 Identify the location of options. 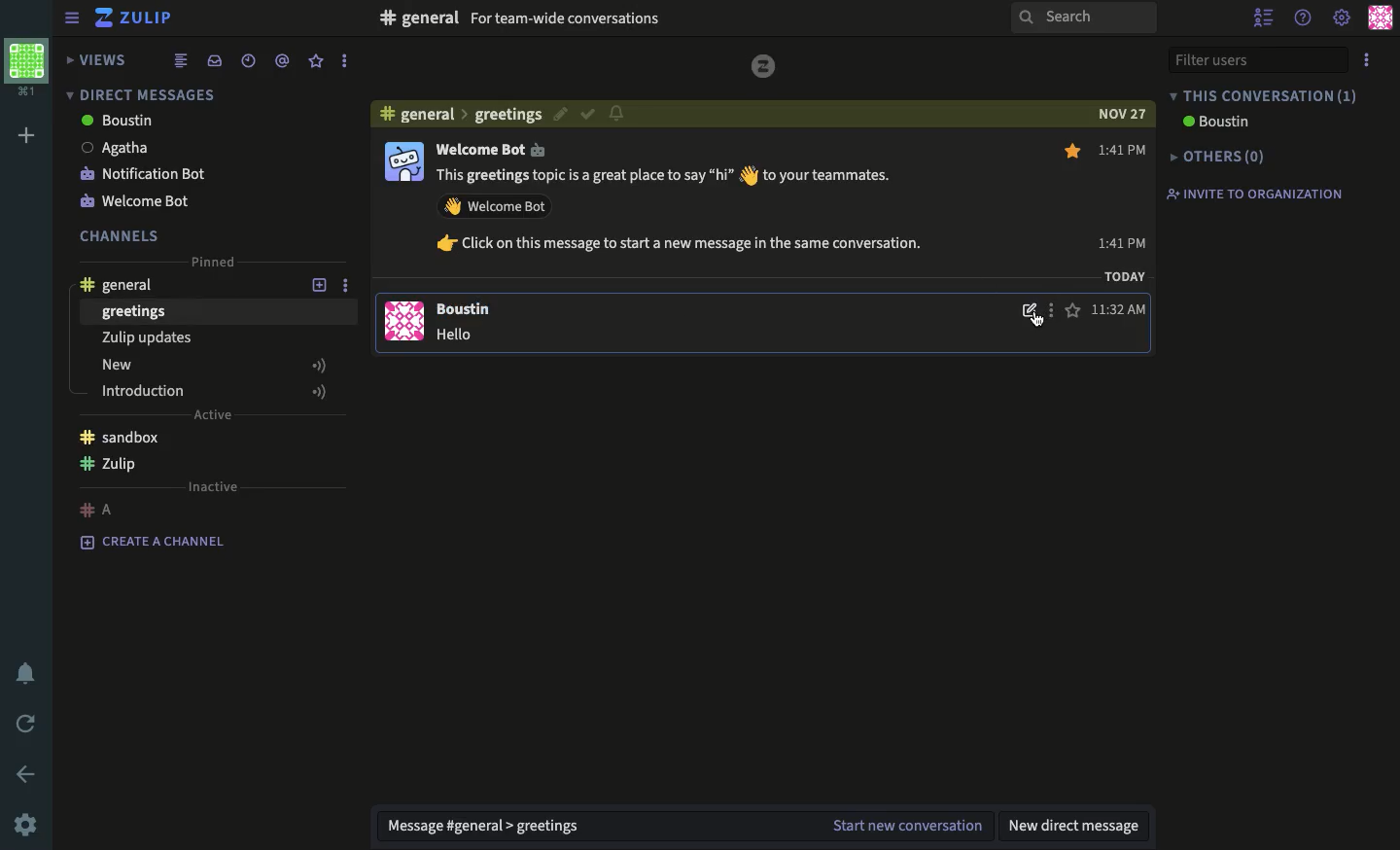
(1367, 59).